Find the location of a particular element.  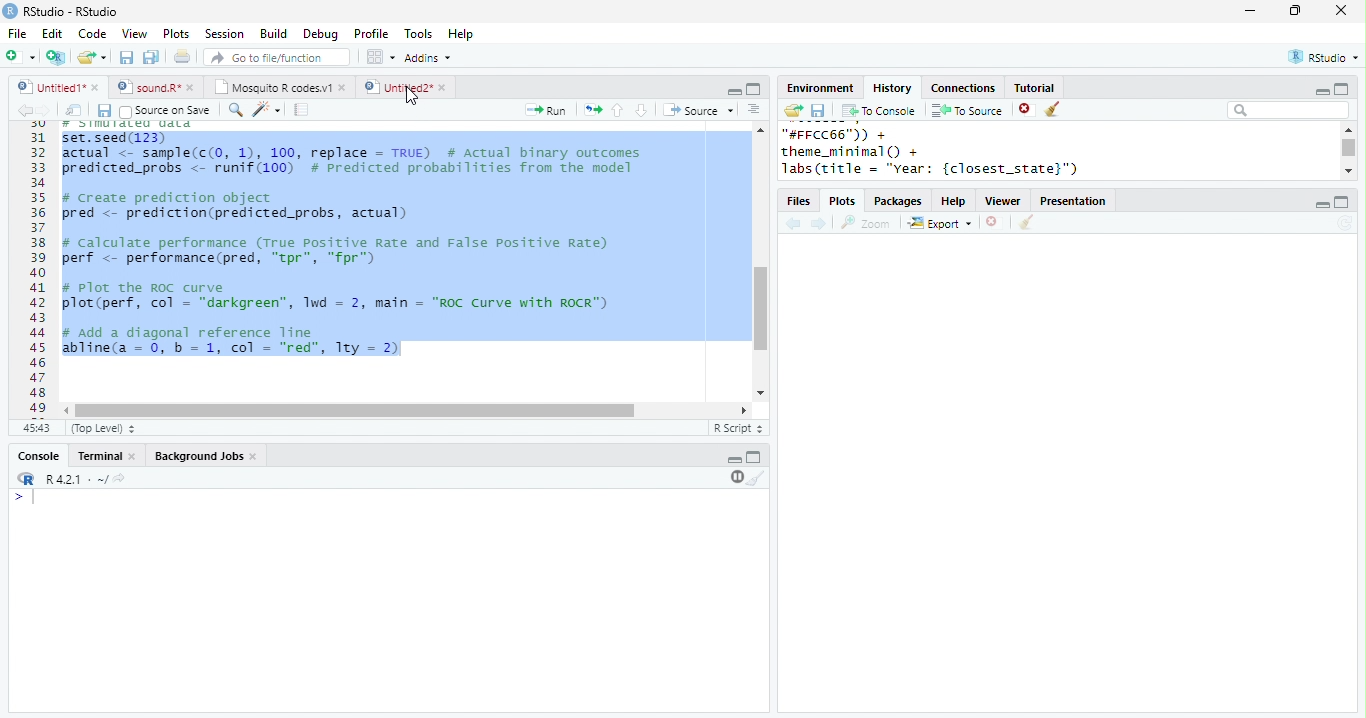

line numbering is located at coordinates (40, 269).